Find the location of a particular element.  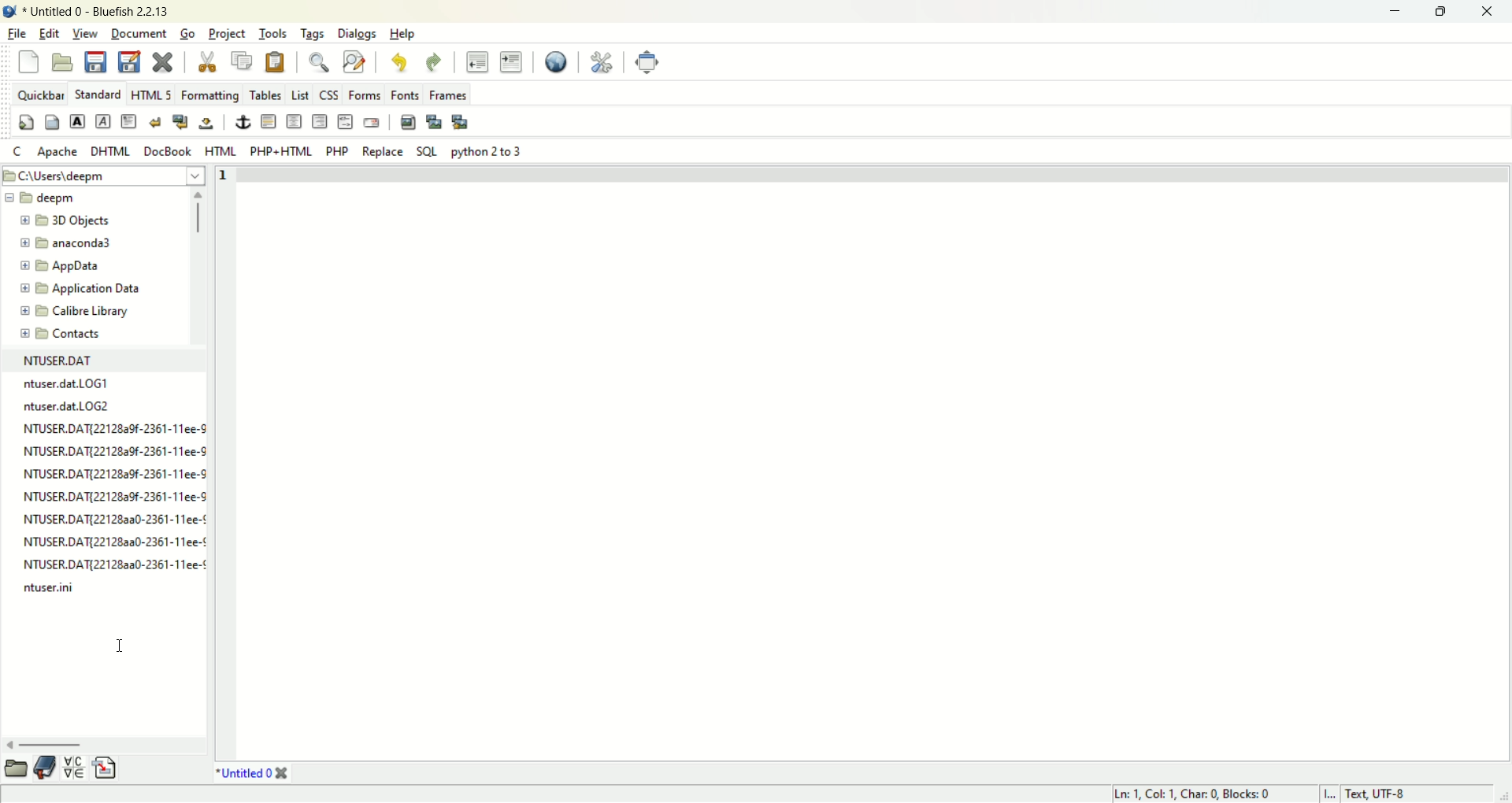

bookmarks is located at coordinates (46, 768).